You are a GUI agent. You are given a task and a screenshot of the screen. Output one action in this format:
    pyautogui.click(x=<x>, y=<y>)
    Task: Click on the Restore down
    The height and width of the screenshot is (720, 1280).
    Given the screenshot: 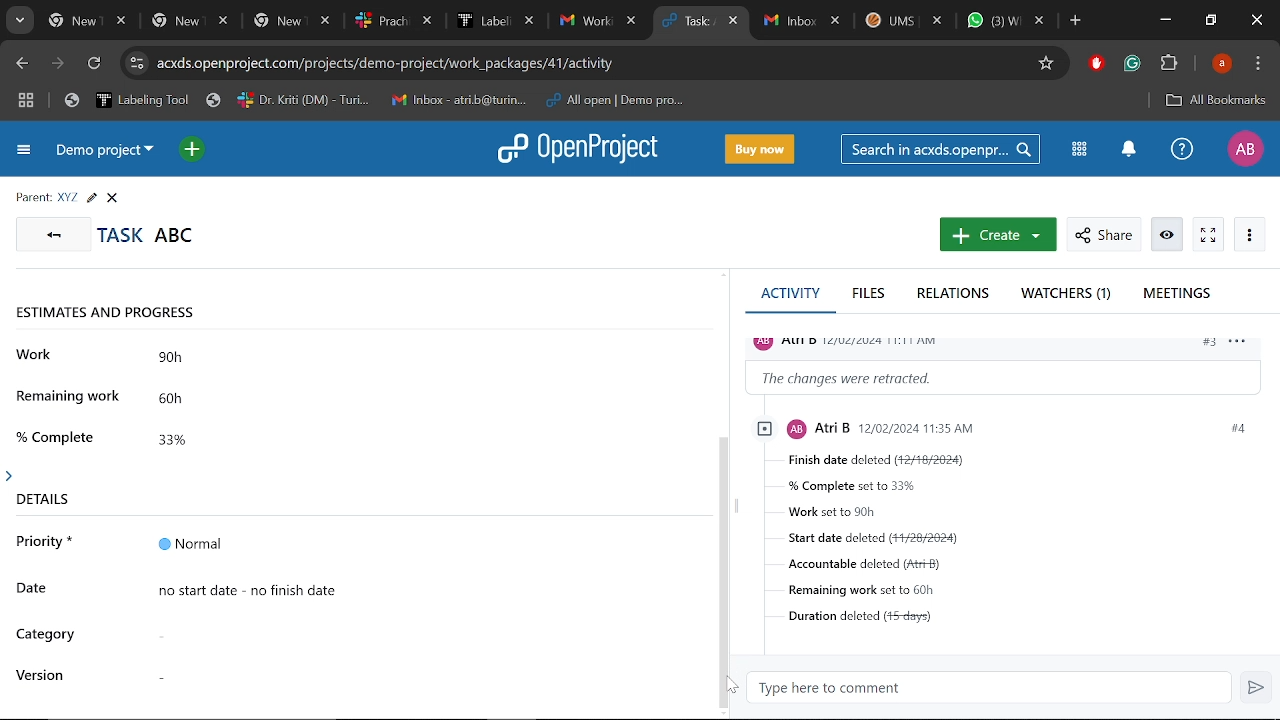 What is the action you would take?
    pyautogui.click(x=1212, y=20)
    